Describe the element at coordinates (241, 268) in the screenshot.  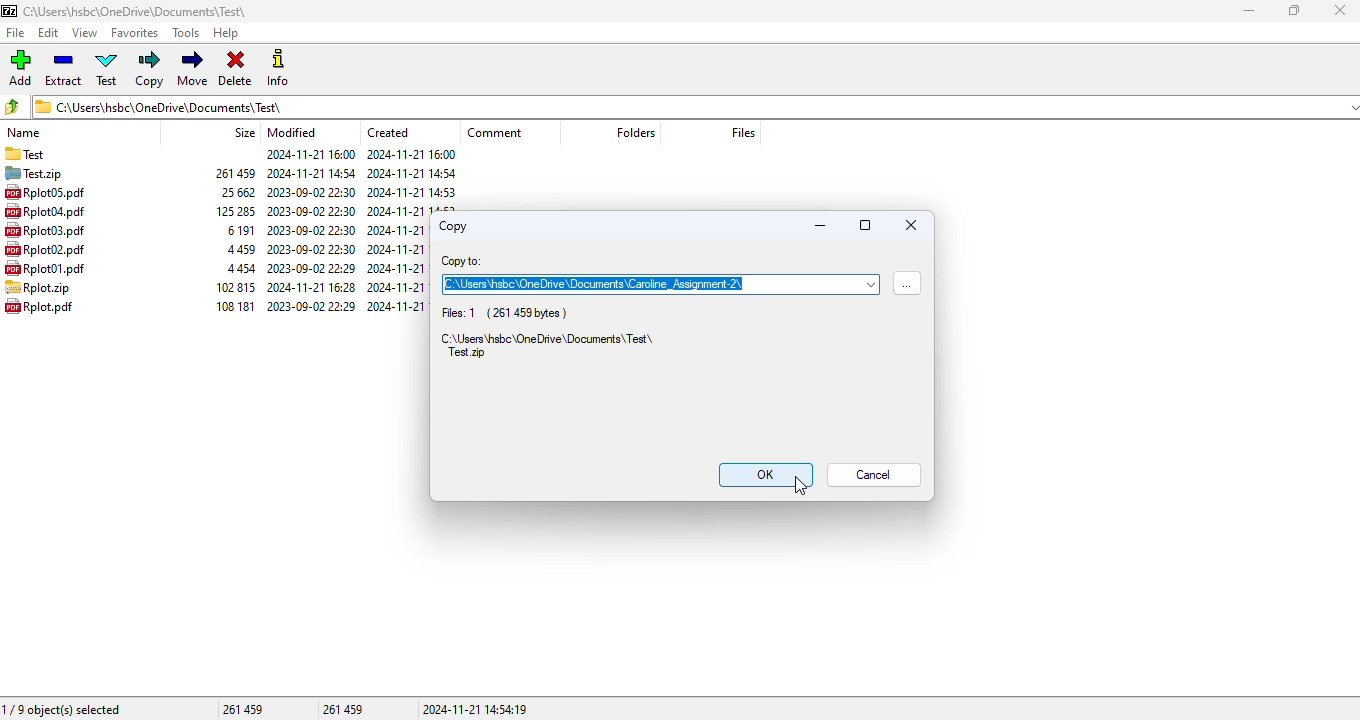
I see `size` at that location.